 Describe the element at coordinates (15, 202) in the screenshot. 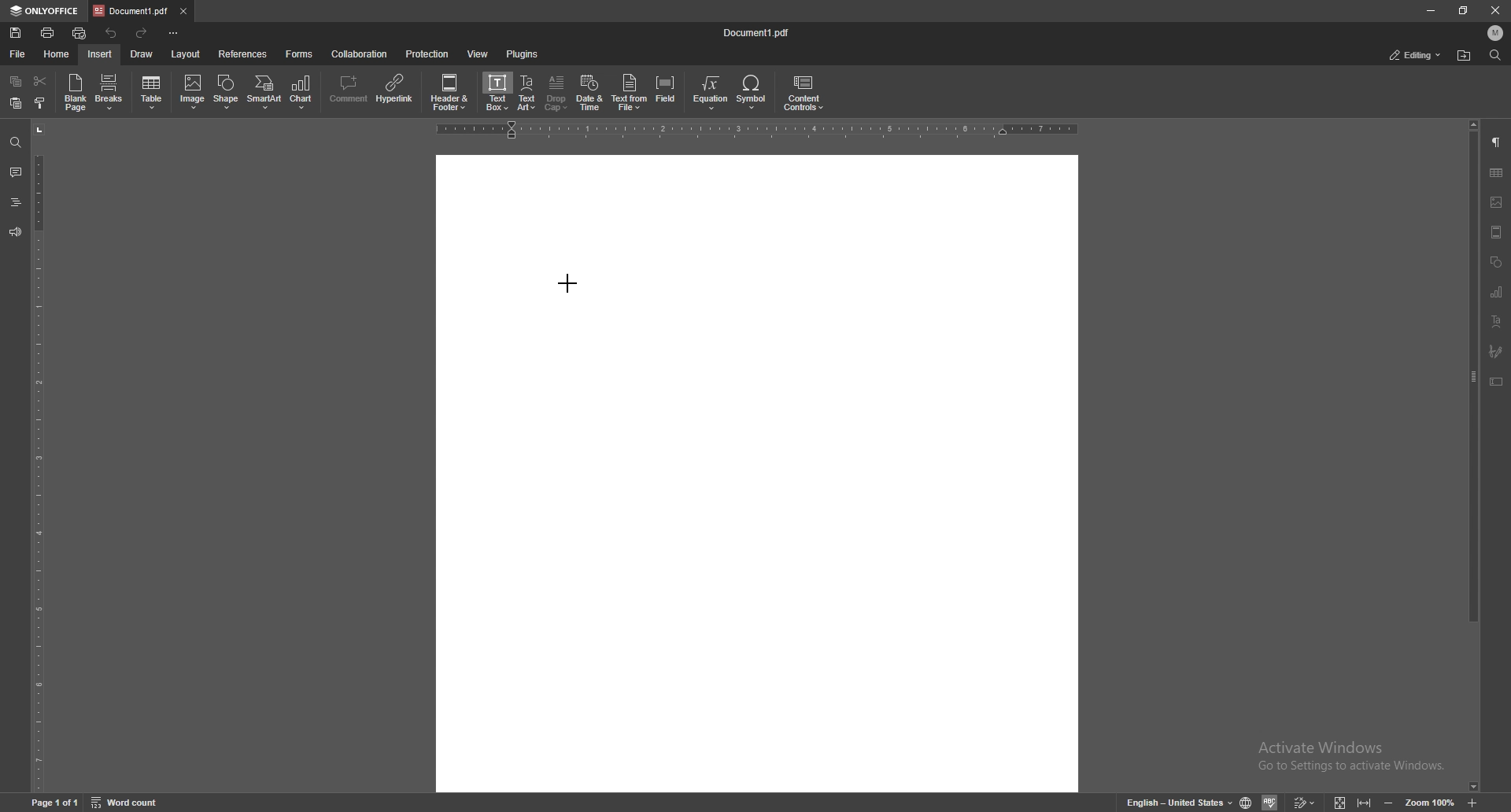

I see `headings` at that location.